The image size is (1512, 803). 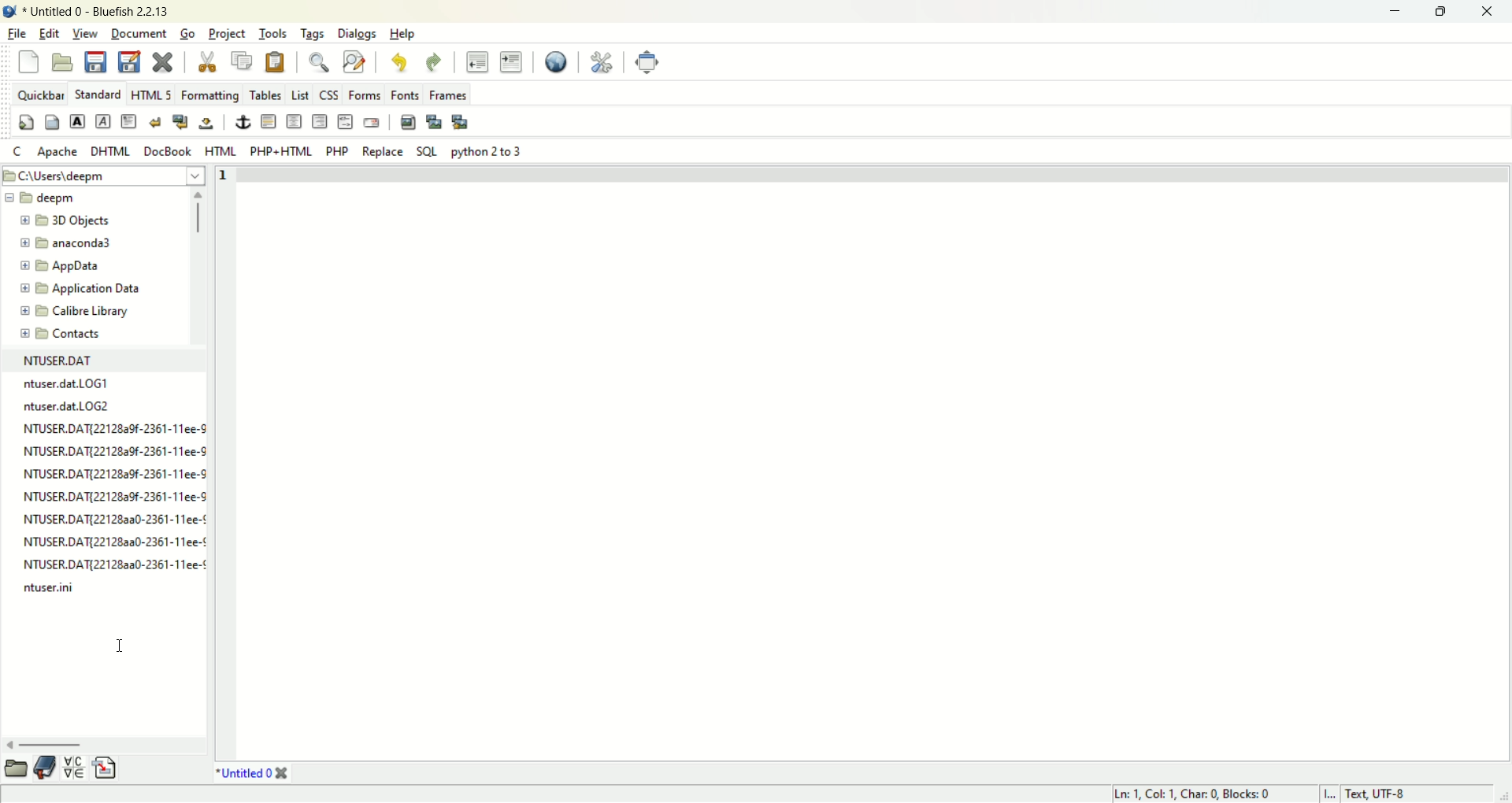 I want to click on DocBook, so click(x=166, y=150).